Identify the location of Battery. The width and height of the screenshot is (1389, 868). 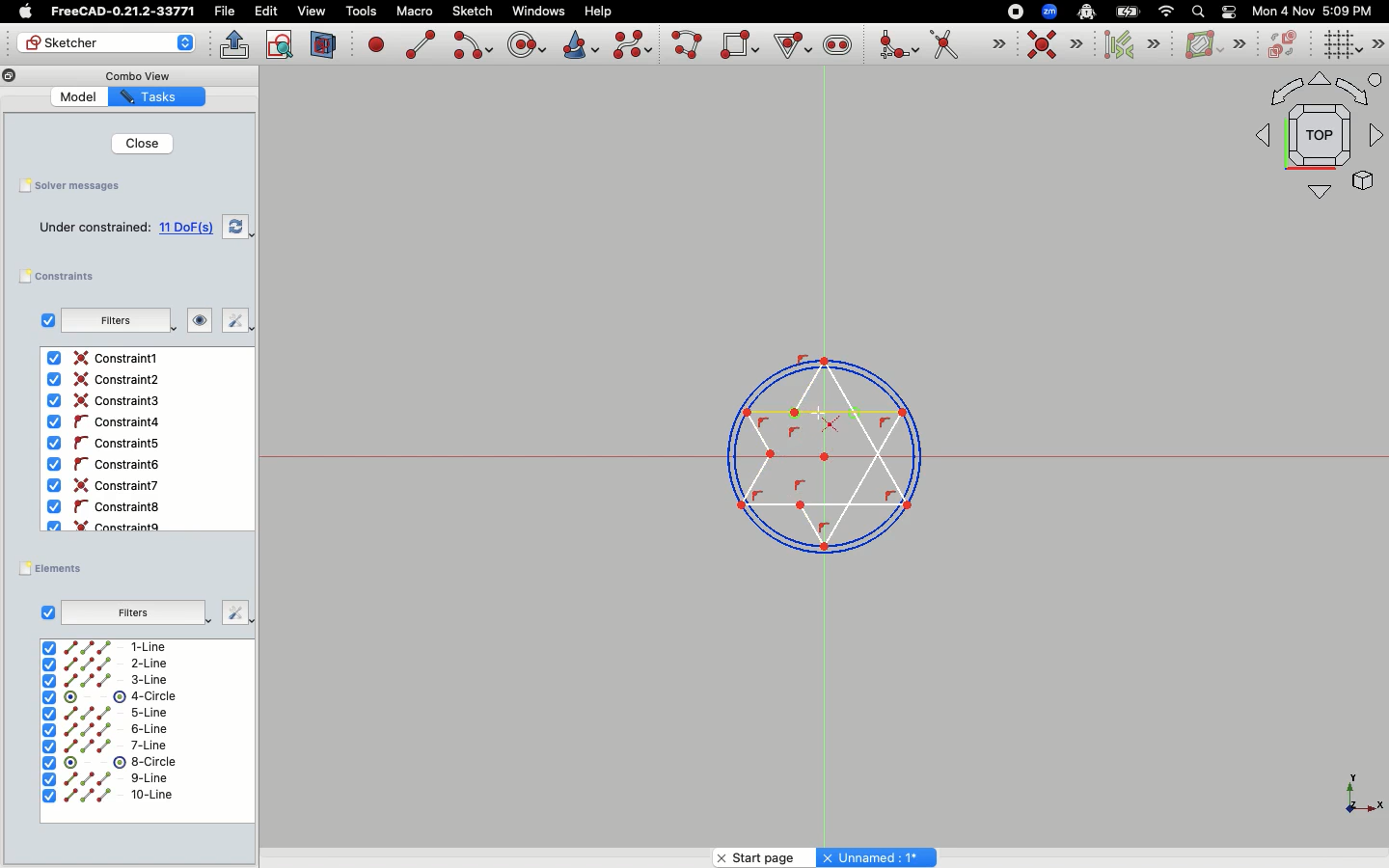
(1129, 11).